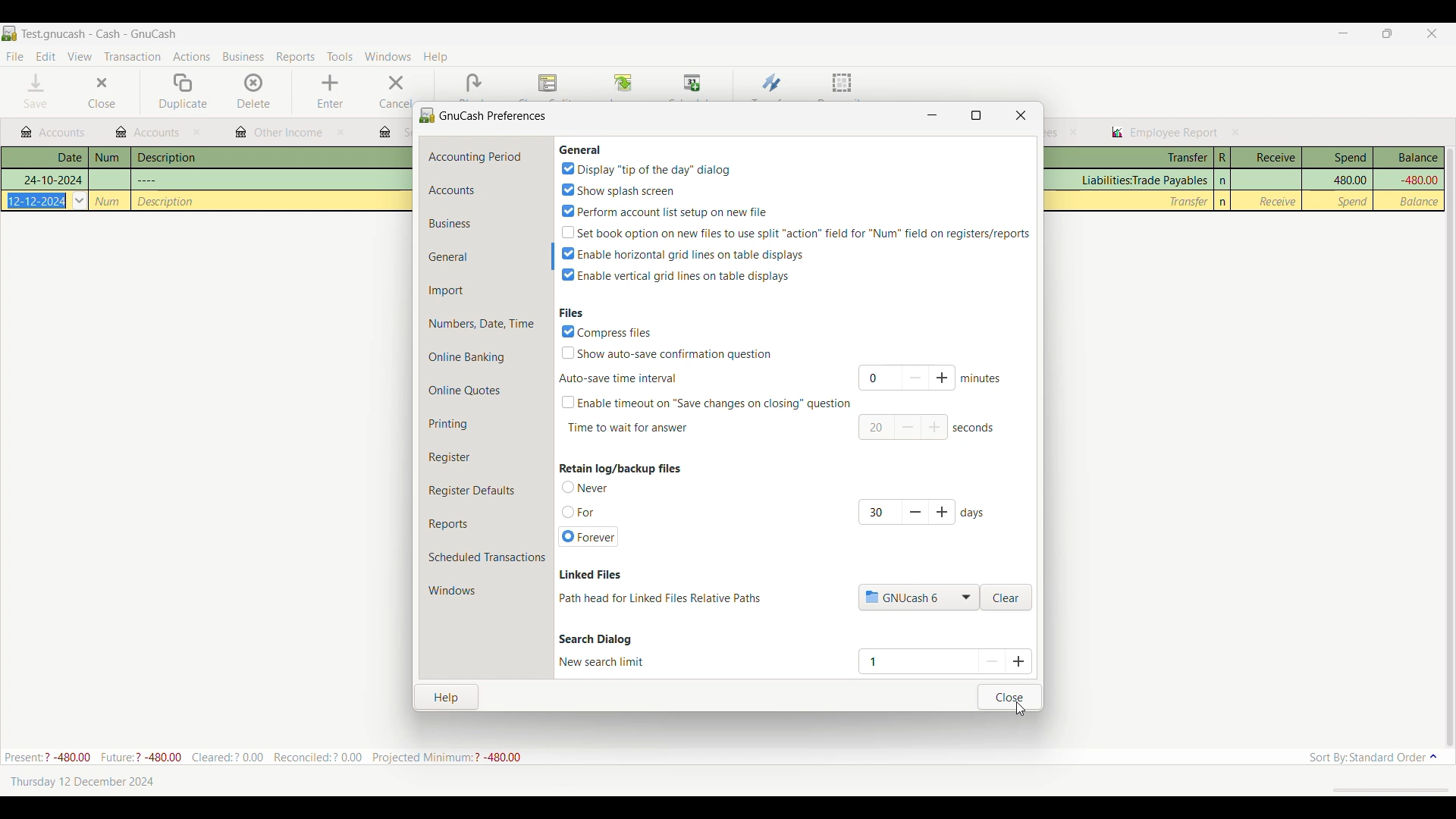 This screenshot has height=819, width=1456. What do you see at coordinates (45, 158) in the screenshot?
I see `Date column` at bounding box center [45, 158].